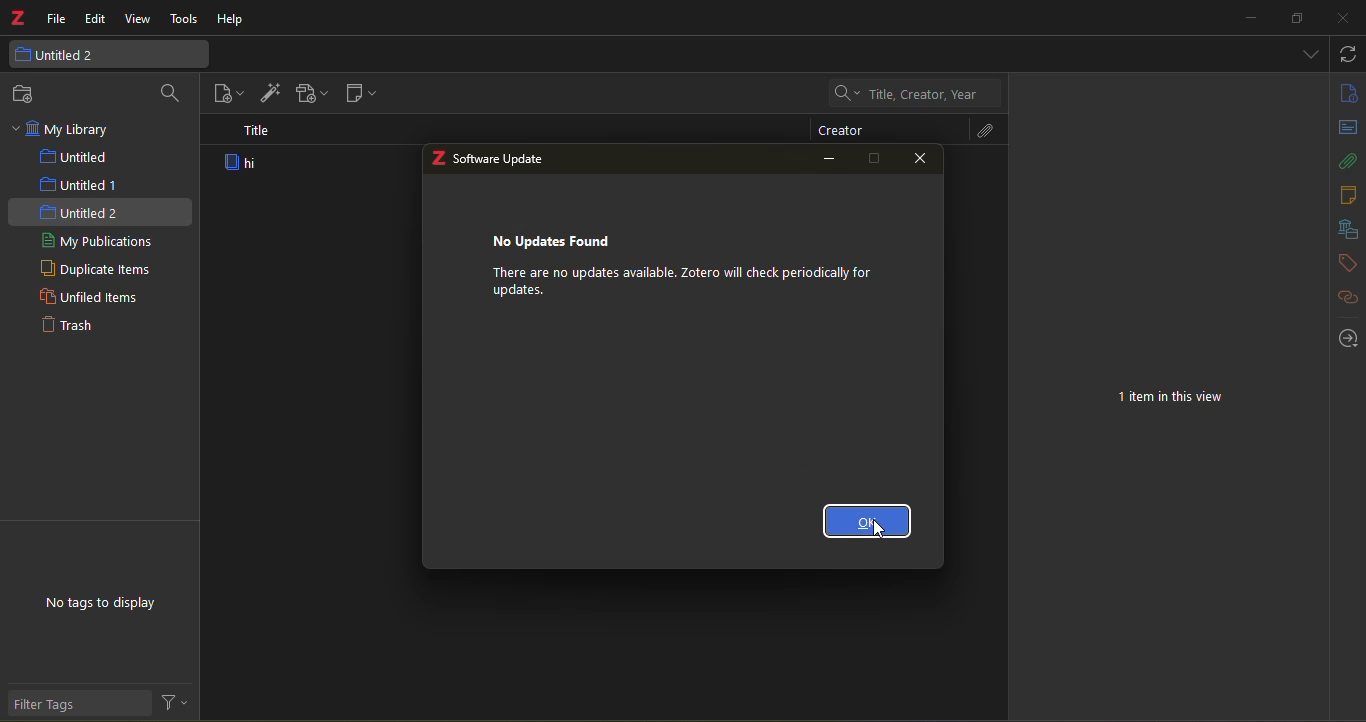 Image resolution: width=1366 pixels, height=722 pixels. What do you see at coordinates (70, 156) in the screenshot?
I see `untitled` at bounding box center [70, 156].